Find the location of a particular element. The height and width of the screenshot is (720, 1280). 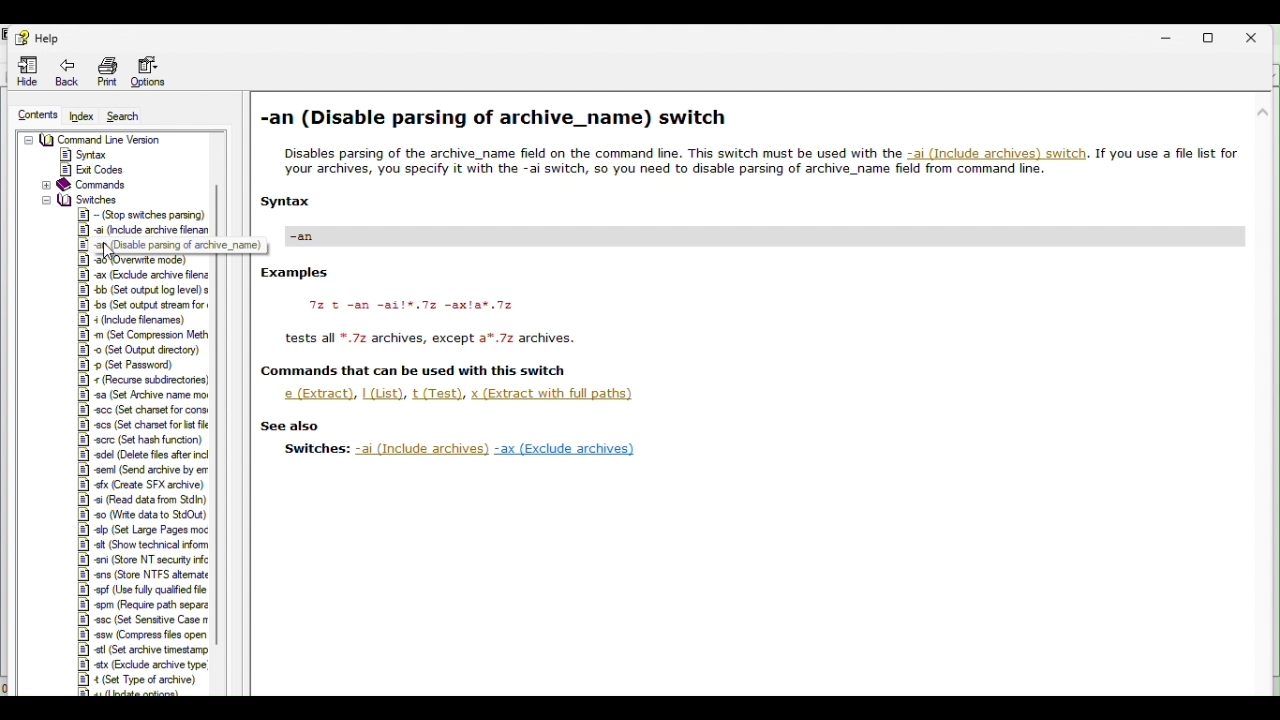

Search is located at coordinates (134, 116).